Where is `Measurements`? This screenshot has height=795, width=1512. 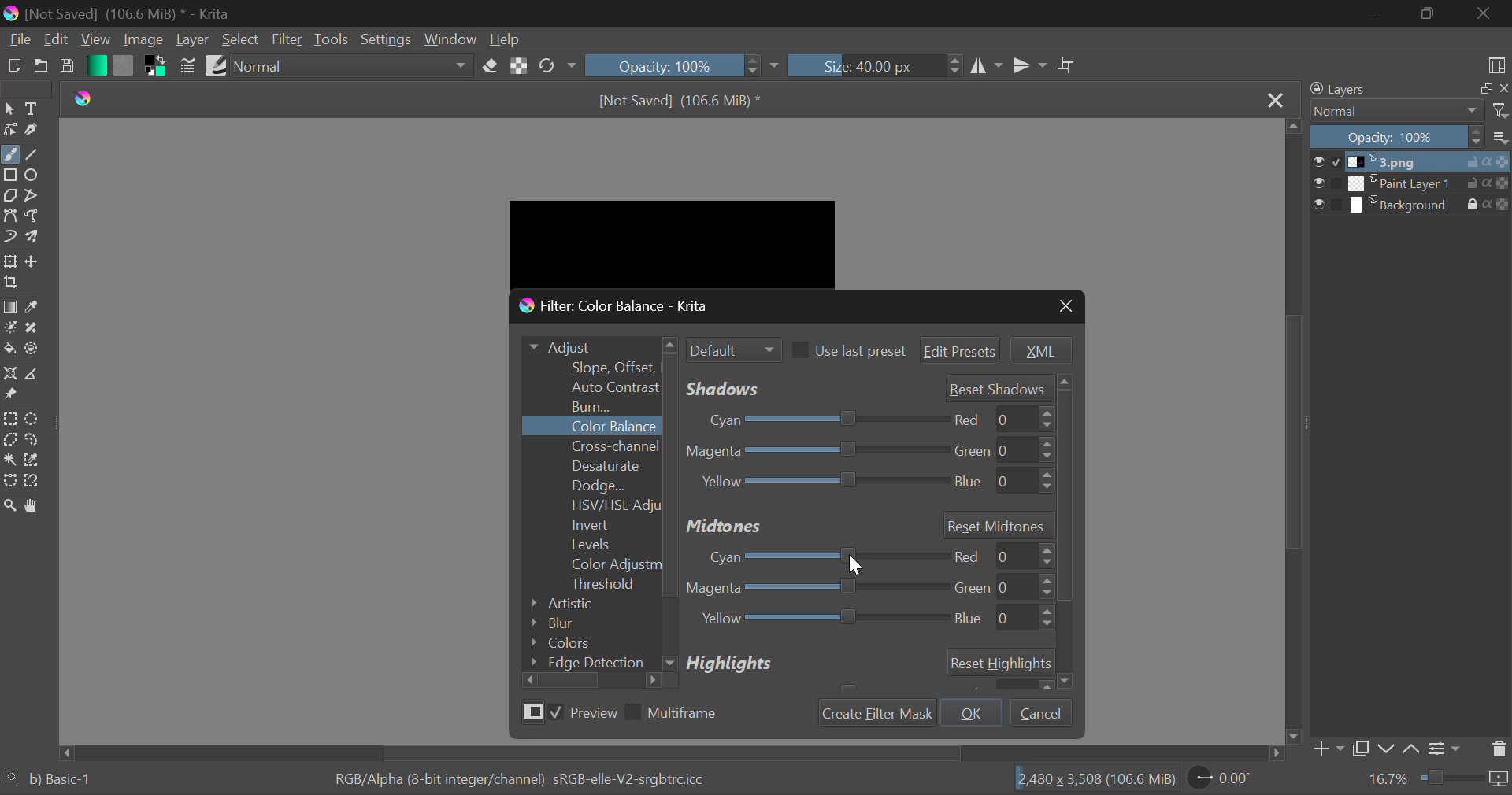 Measurements is located at coordinates (32, 374).